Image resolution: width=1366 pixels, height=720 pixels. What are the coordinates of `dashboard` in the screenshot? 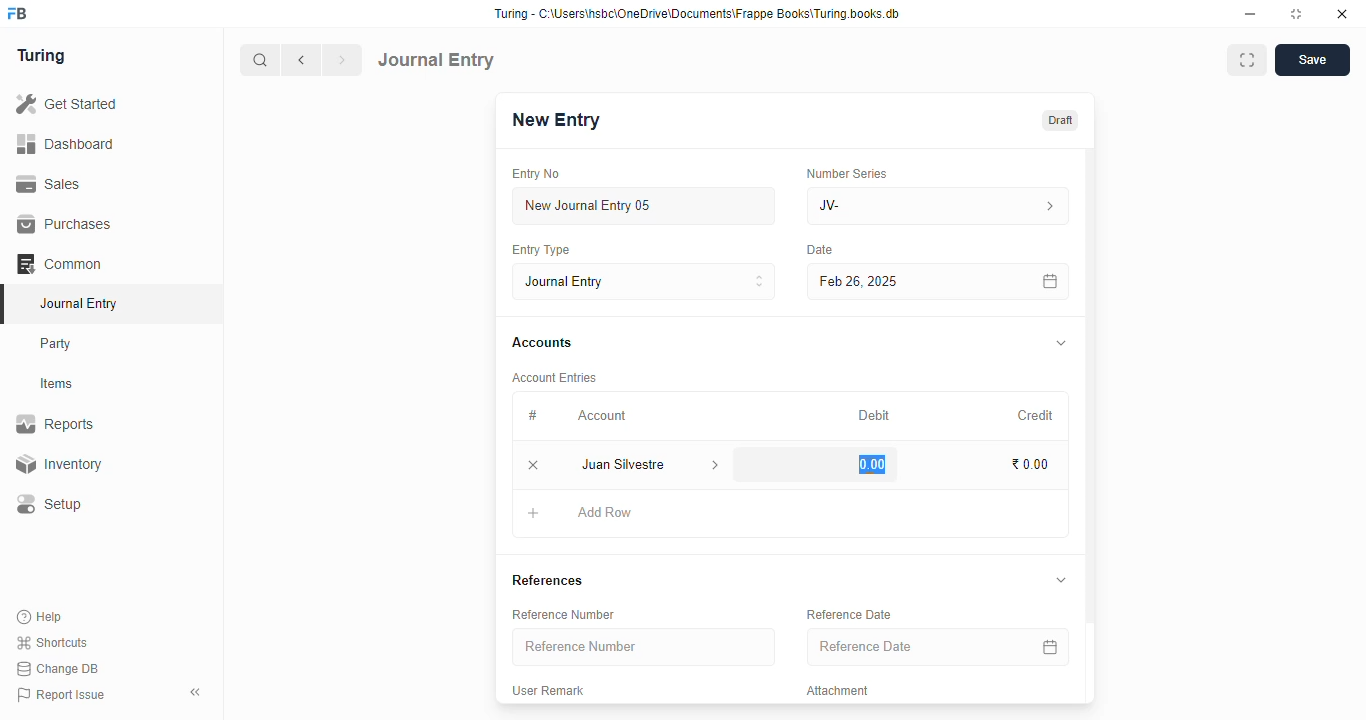 It's located at (66, 143).